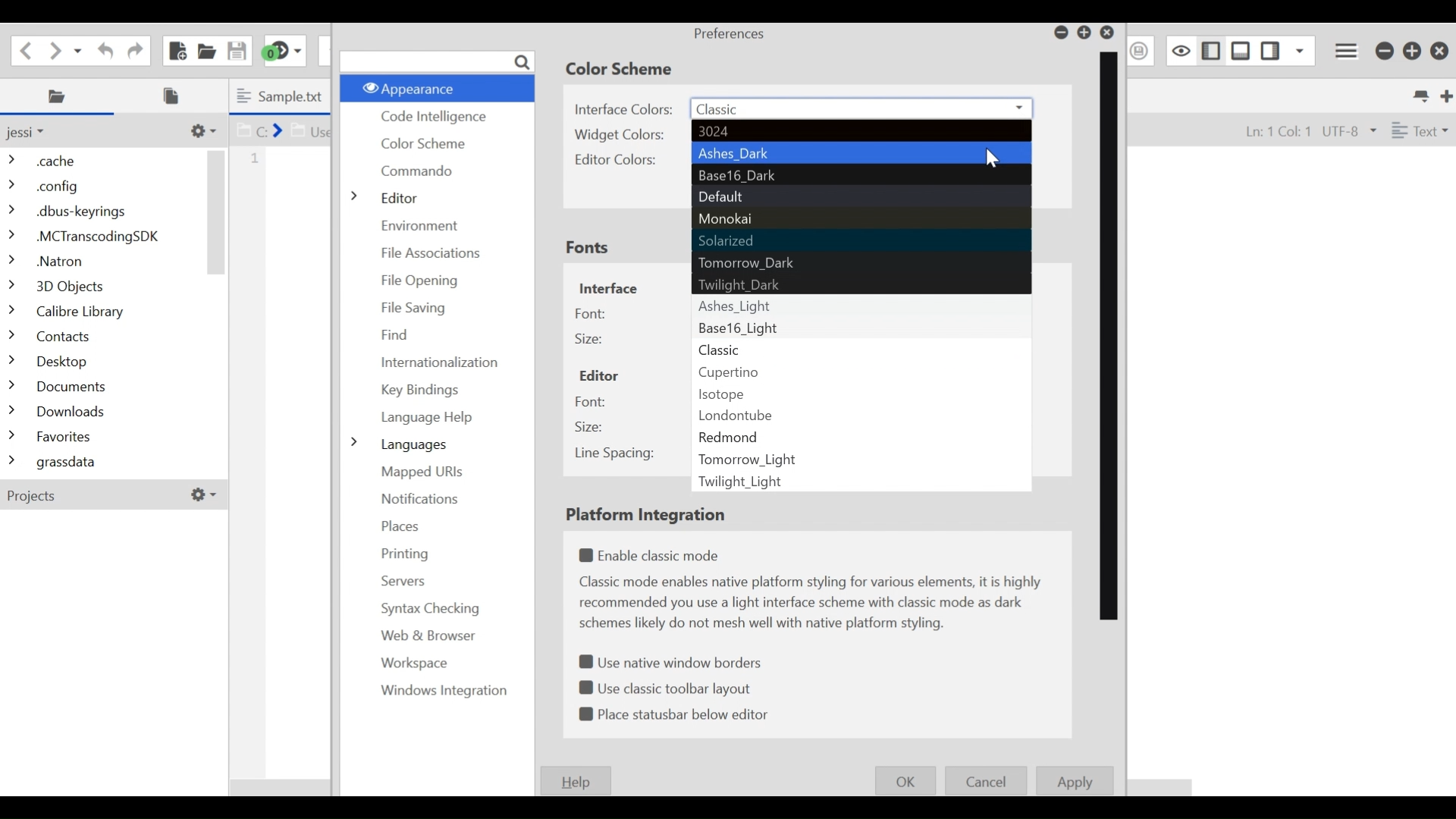  Describe the element at coordinates (426, 419) in the screenshot. I see `Language Help` at that location.